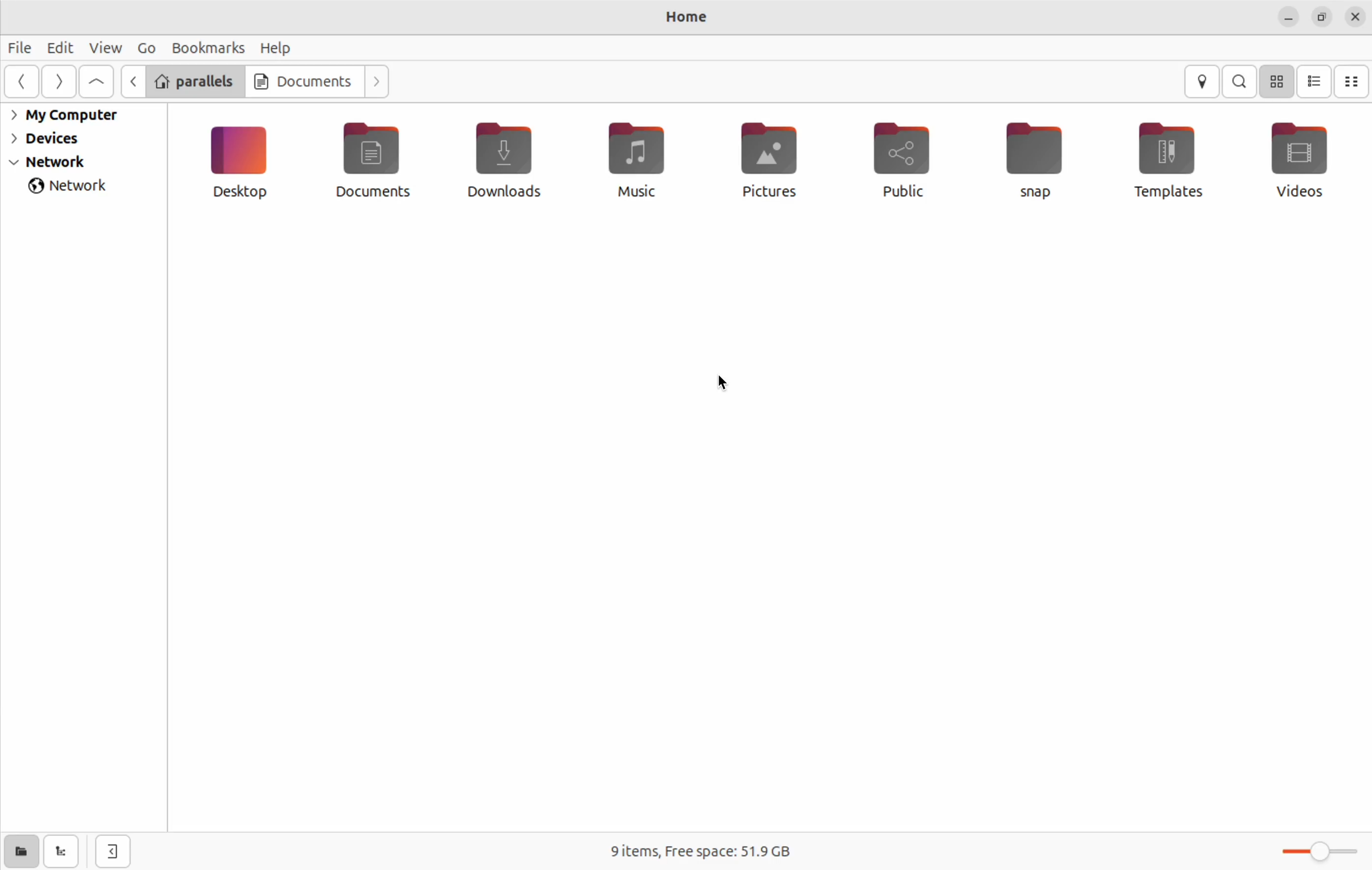 This screenshot has width=1372, height=870. Describe the element at coordinates (22, 50) in the screenshot. I see `File` at that location.